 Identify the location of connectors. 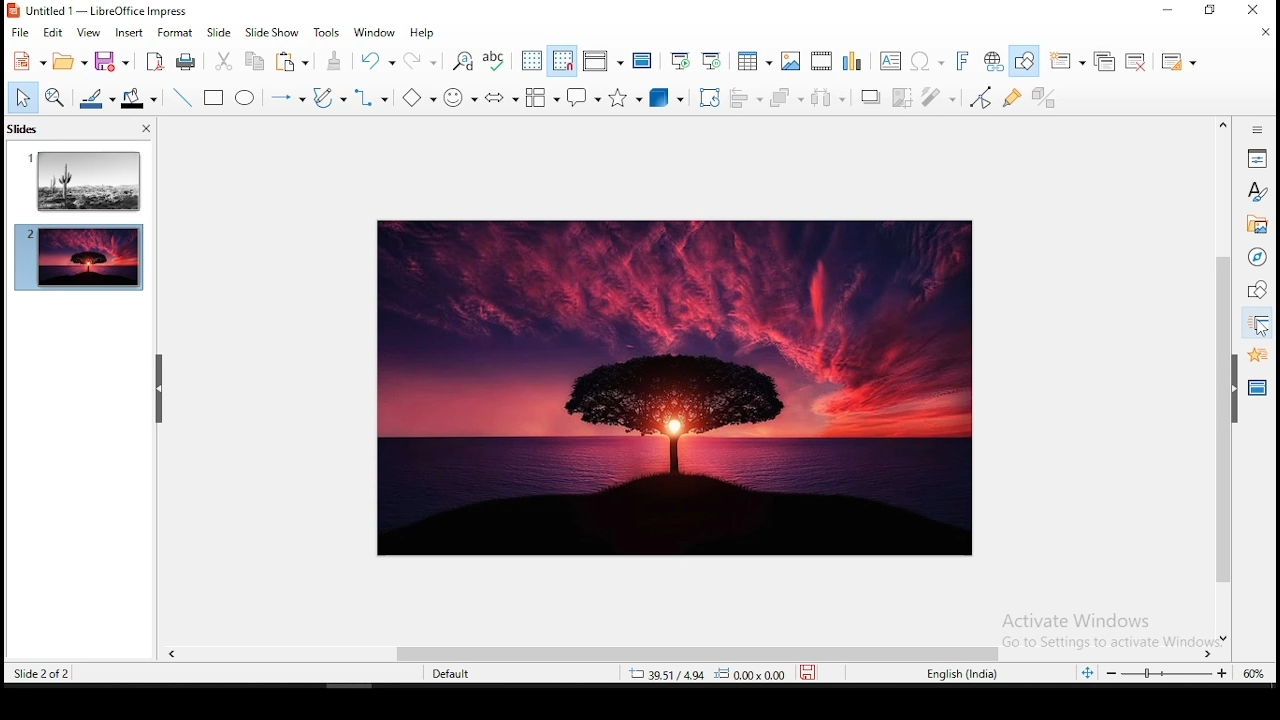
(369, 97).